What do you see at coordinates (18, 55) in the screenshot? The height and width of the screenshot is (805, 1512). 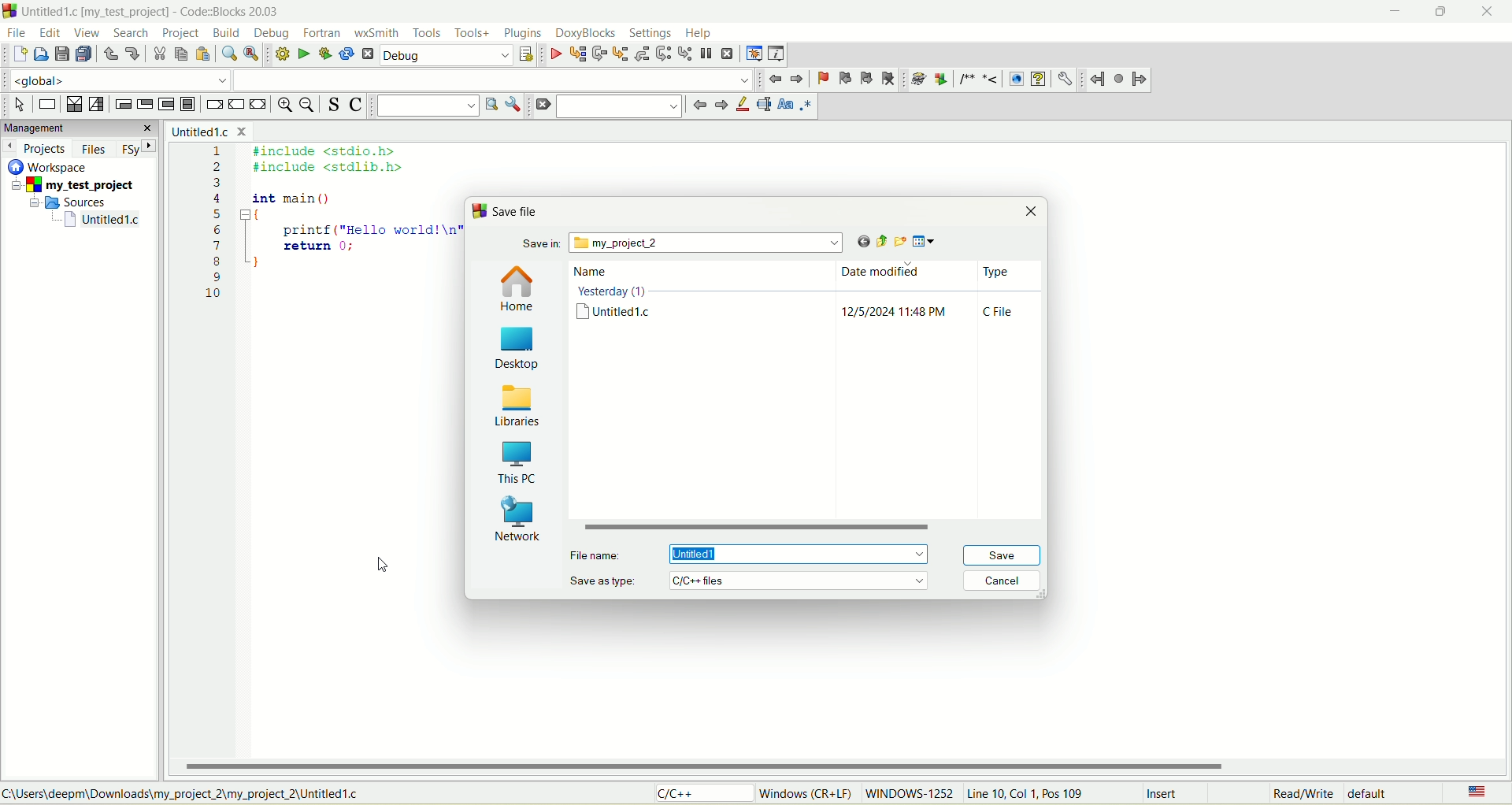 I see `new` at bounding box center [18, 55].